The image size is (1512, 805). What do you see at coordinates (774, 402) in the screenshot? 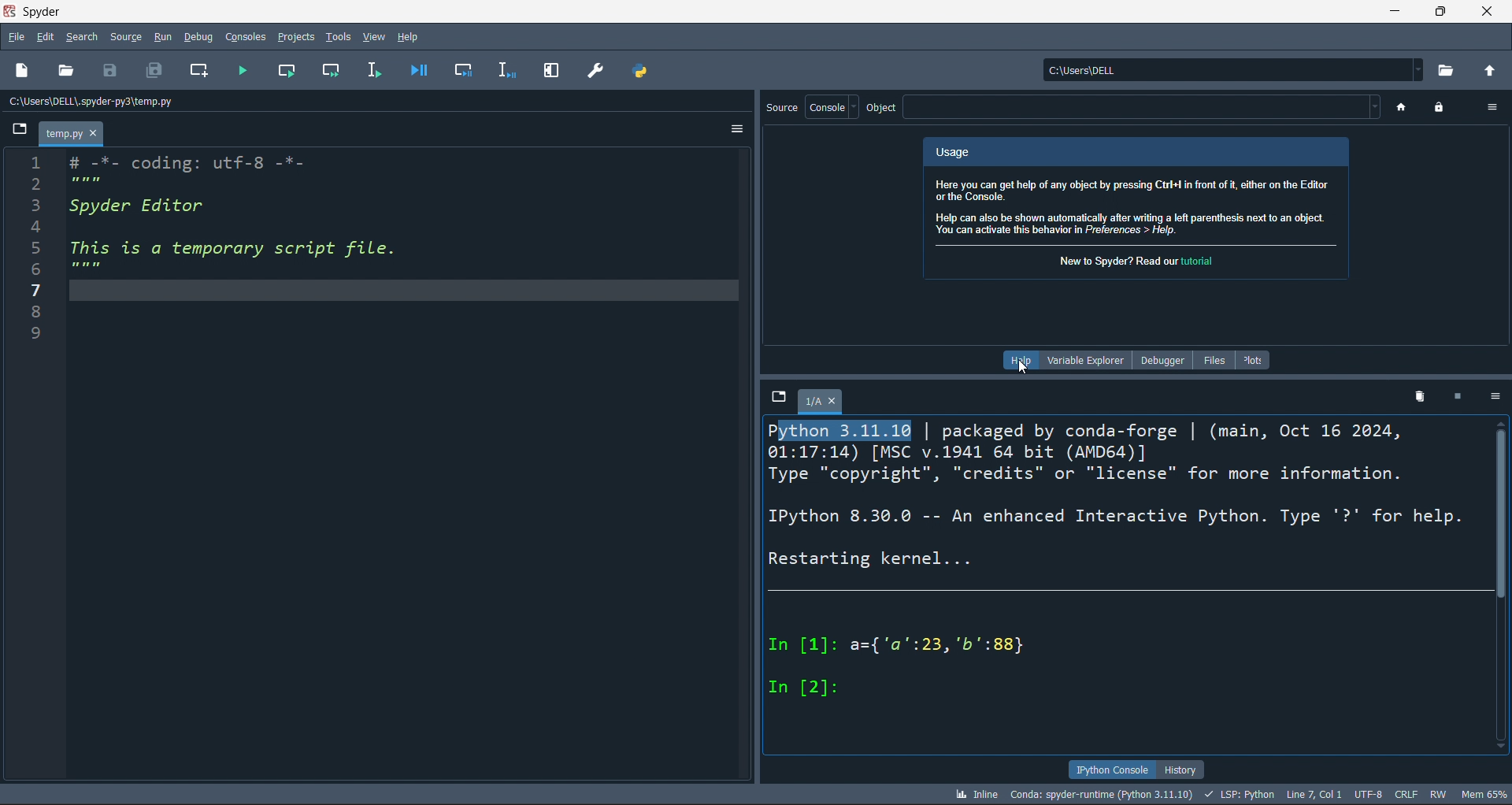
I see `browse tabs` at bounding box center [774, 402].